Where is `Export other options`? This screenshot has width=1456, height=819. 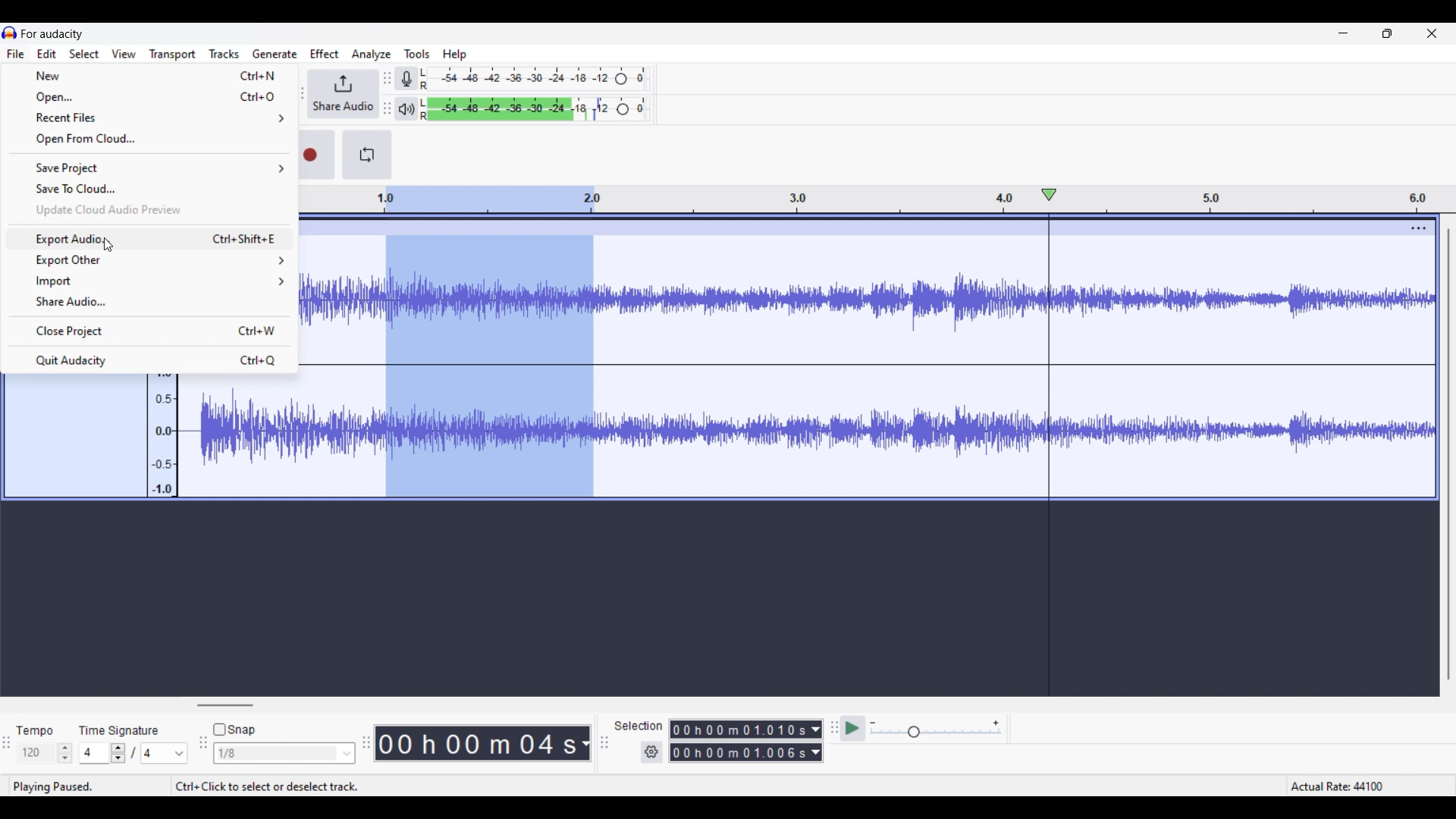 Export other options is located at coordinates (150, 261).